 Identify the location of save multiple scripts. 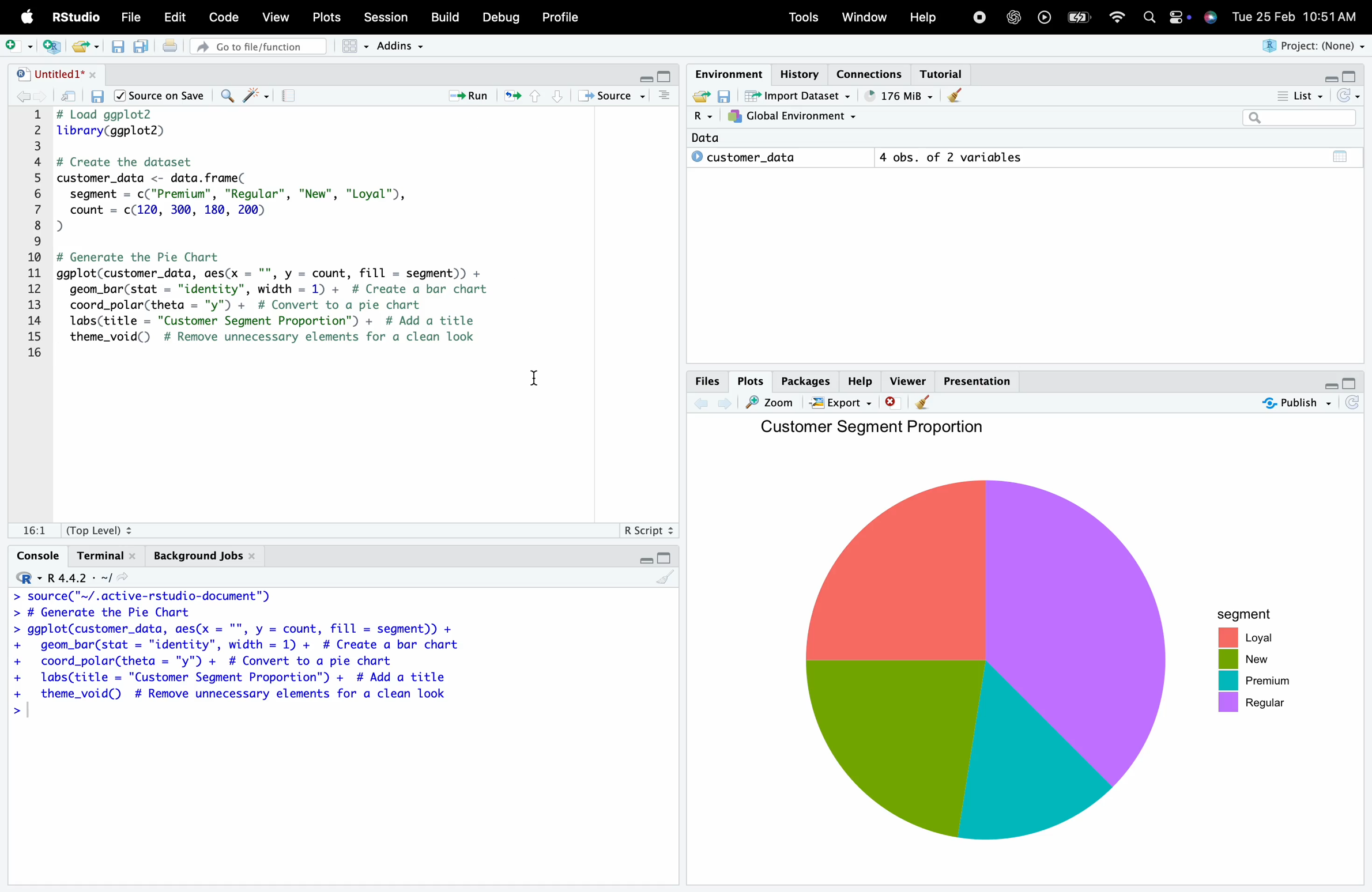
(144, 52).